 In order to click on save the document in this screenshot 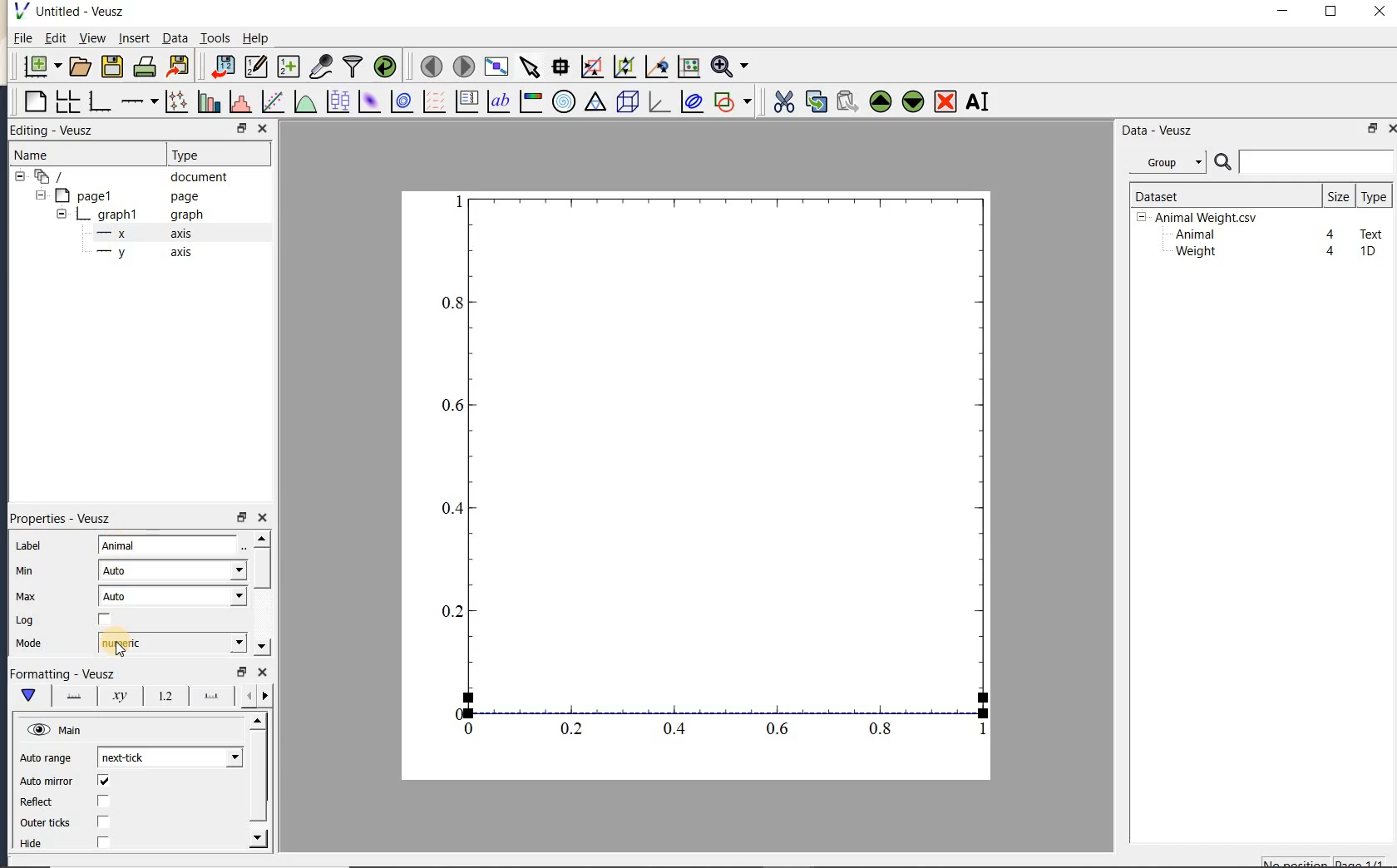, I will do `click(111, 67)`.